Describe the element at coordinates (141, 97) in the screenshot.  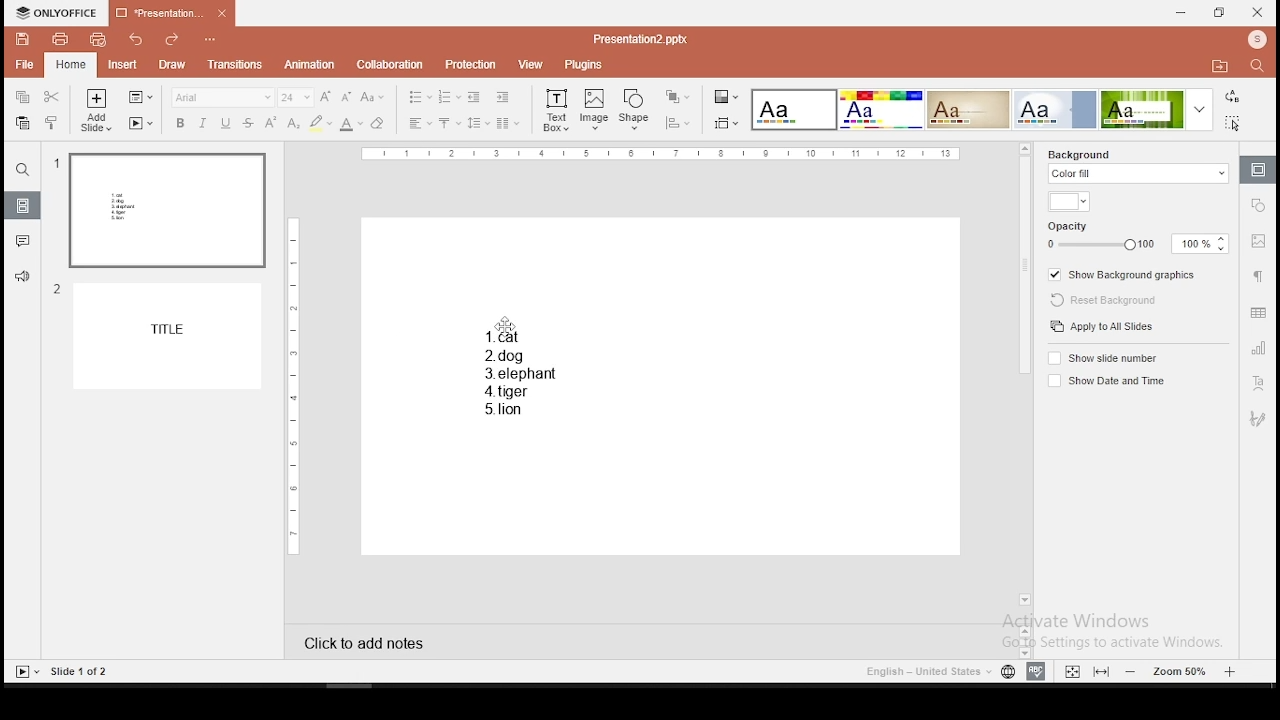
I see `change slide layout` at that location.